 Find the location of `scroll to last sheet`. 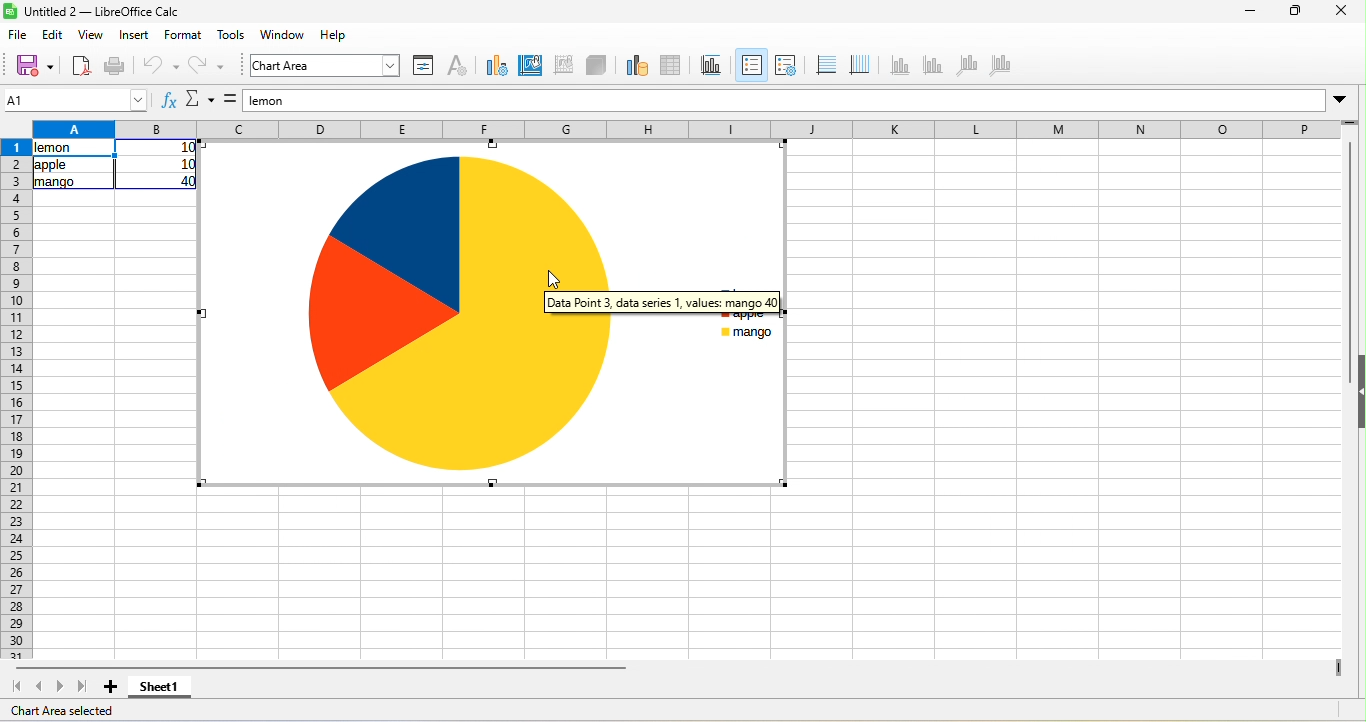

scroll to last sheet is located at coordinates (81, 688).